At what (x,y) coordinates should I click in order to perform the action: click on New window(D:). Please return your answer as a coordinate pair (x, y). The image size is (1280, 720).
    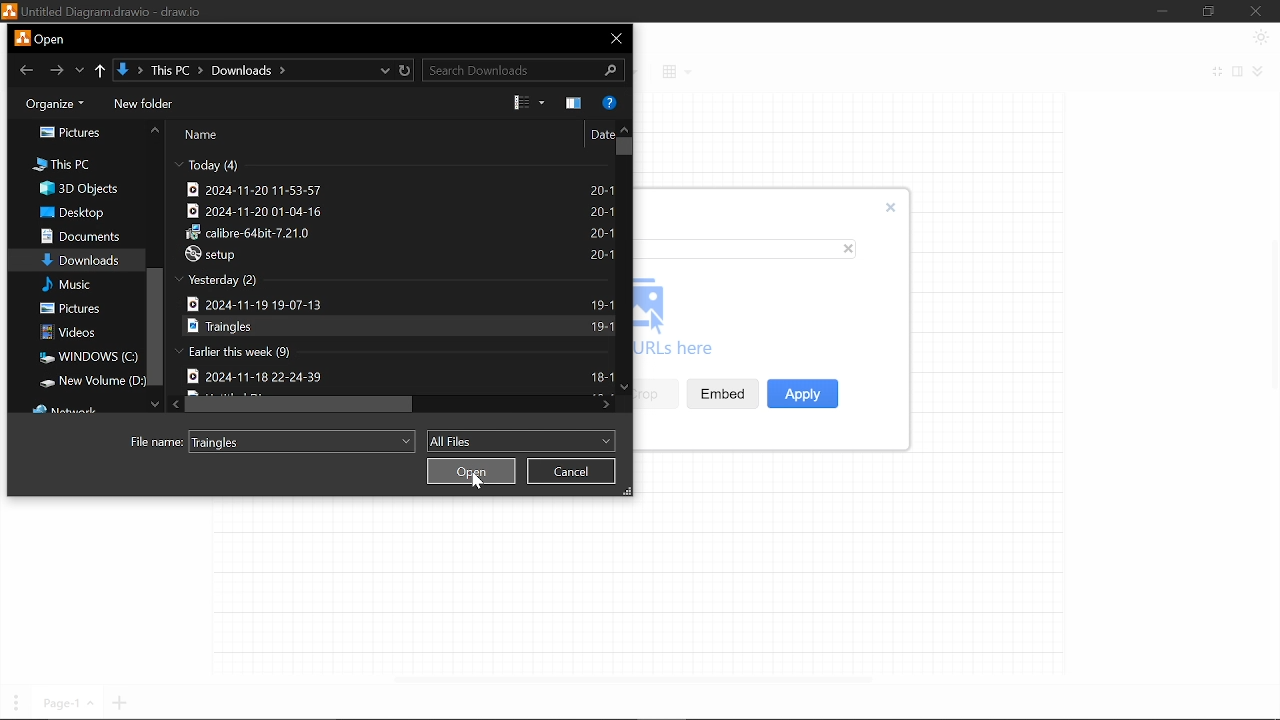
    Looking at the image, I should click on (86, 381).